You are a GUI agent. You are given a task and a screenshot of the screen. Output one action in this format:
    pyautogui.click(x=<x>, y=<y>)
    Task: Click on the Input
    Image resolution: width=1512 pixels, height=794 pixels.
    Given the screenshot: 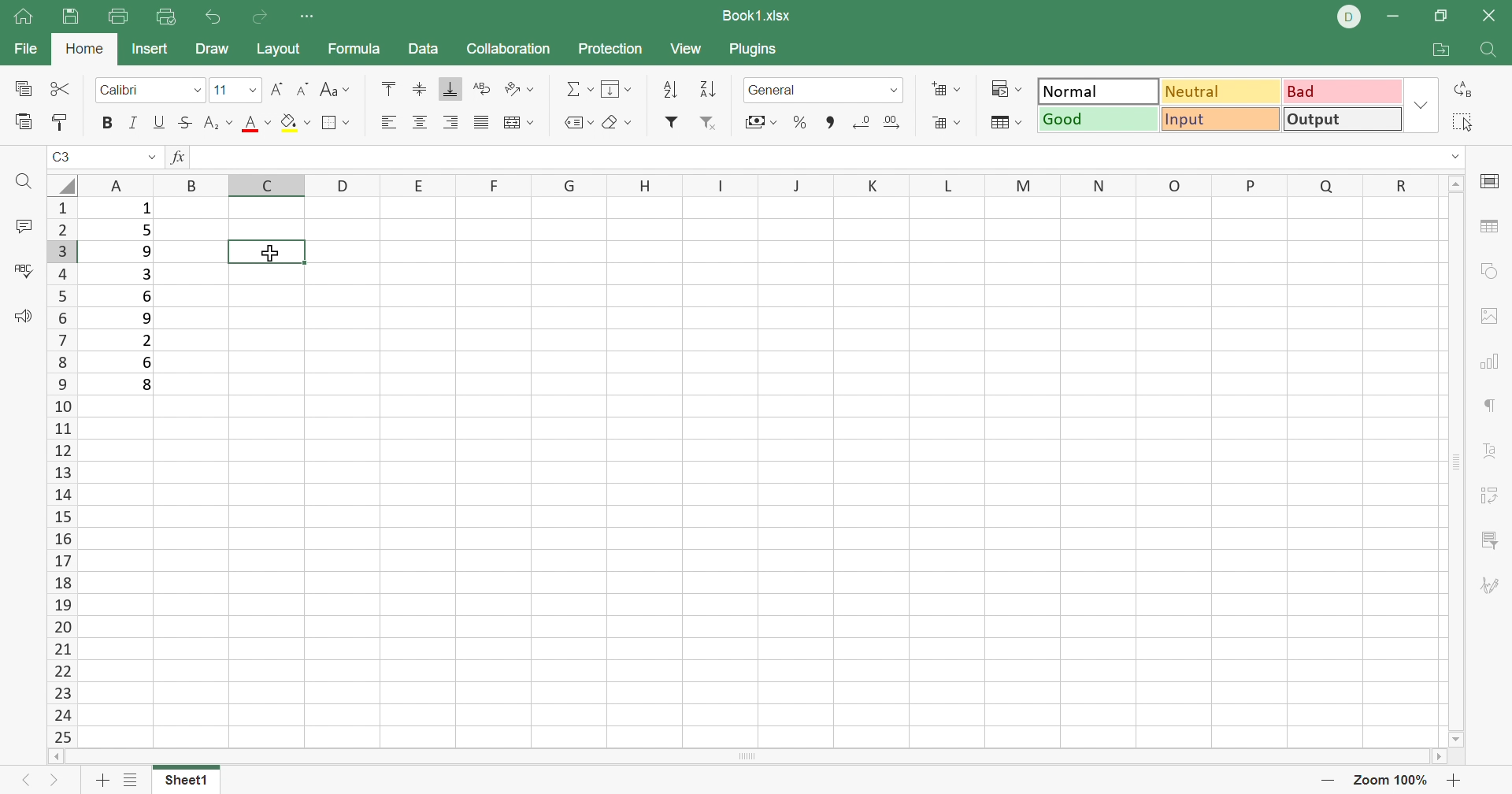 What is the action you would take?
    pyautogui.click(x=1221, y=118)
    